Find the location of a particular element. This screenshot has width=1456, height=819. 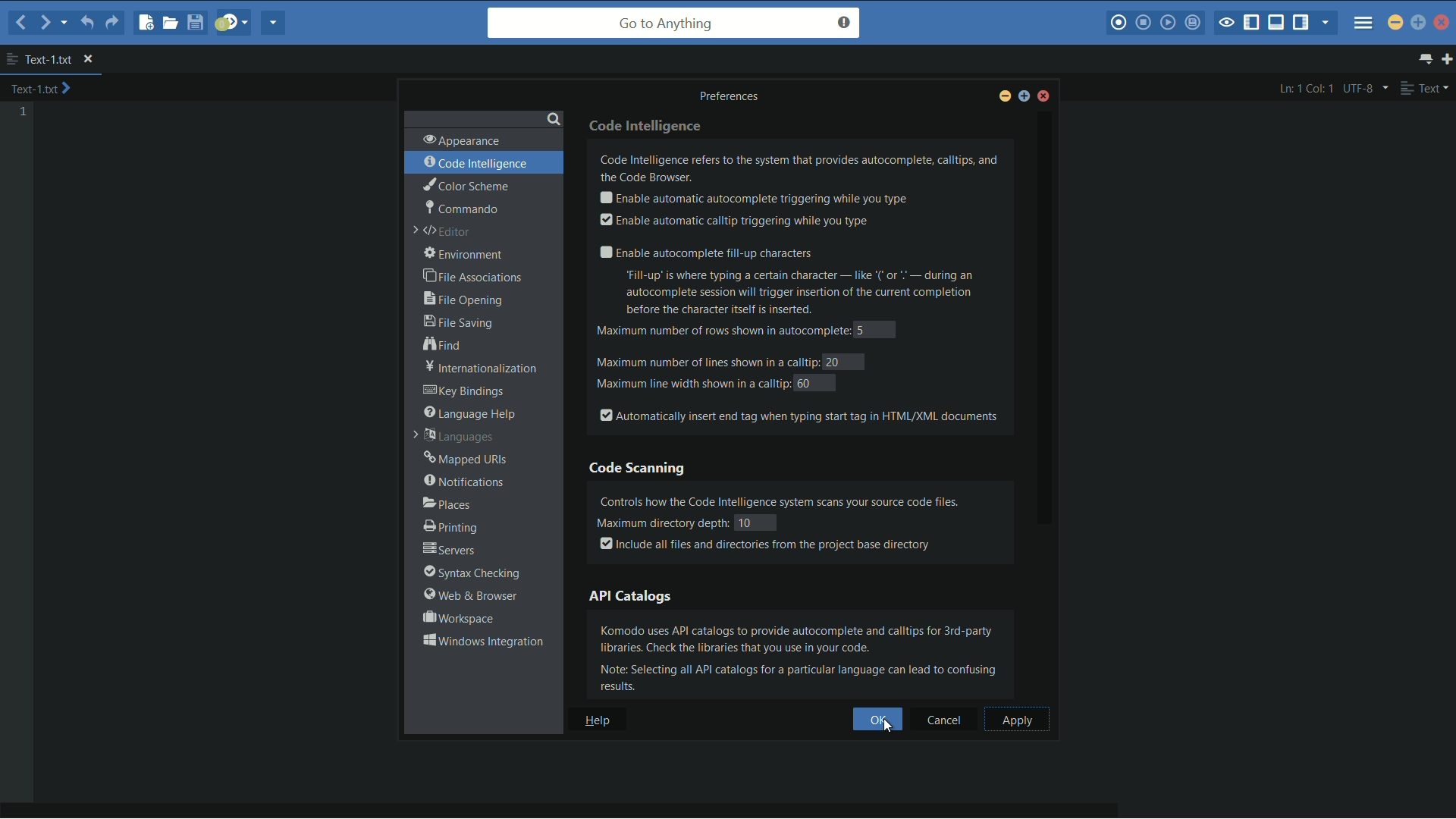

code intelligence is located at coordinates (648, 124).